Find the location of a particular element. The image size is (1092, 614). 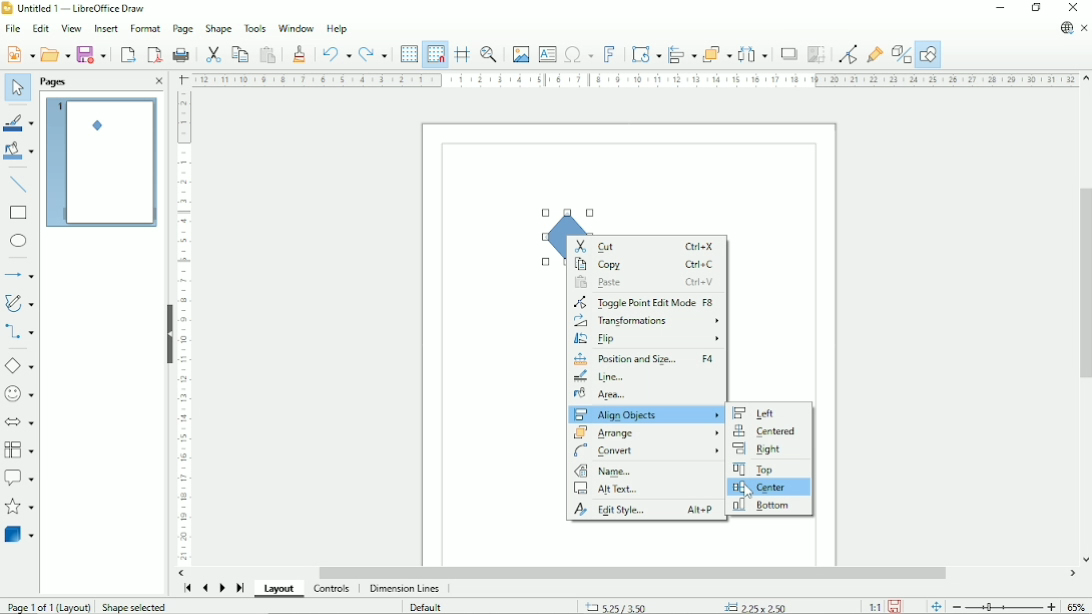

Close is located at coordinates (160, 81).